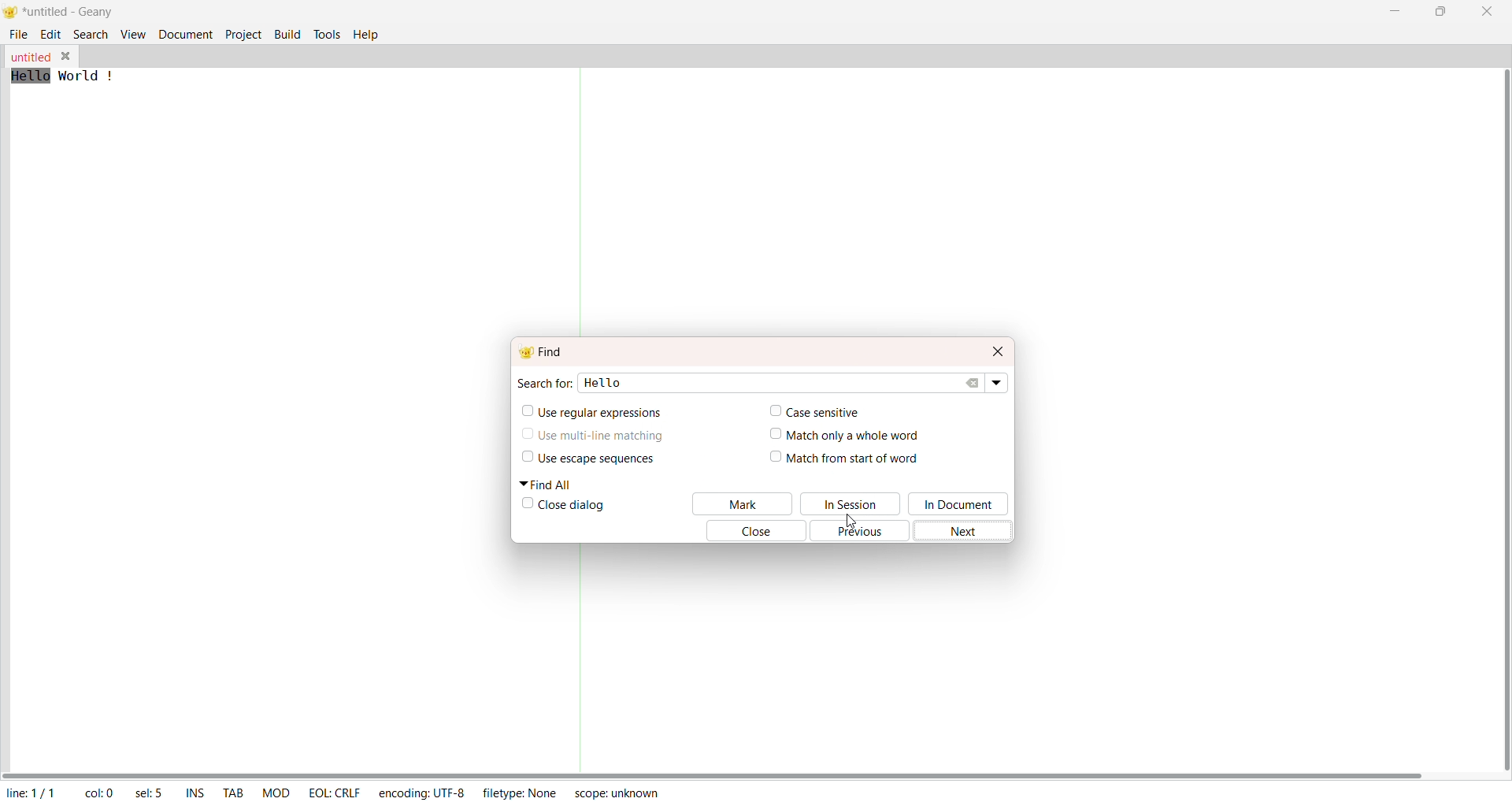 The height and width of the screenshot is (802, 1512). Describe the element at coordinates (525, 505) in the screenshot. I see `Check box` at that location.